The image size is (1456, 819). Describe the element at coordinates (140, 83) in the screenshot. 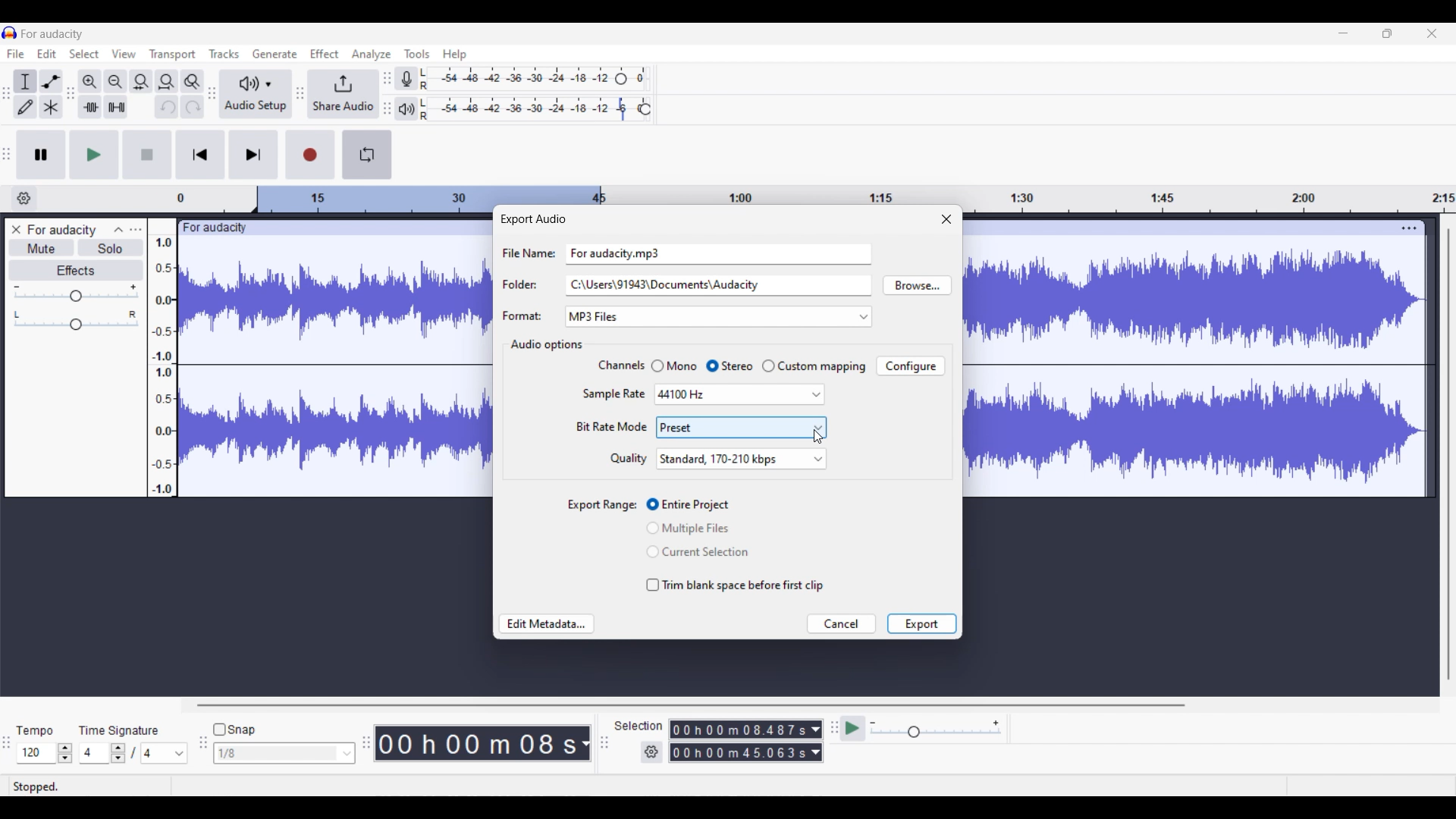

I see `Fit selection to width` at that location.